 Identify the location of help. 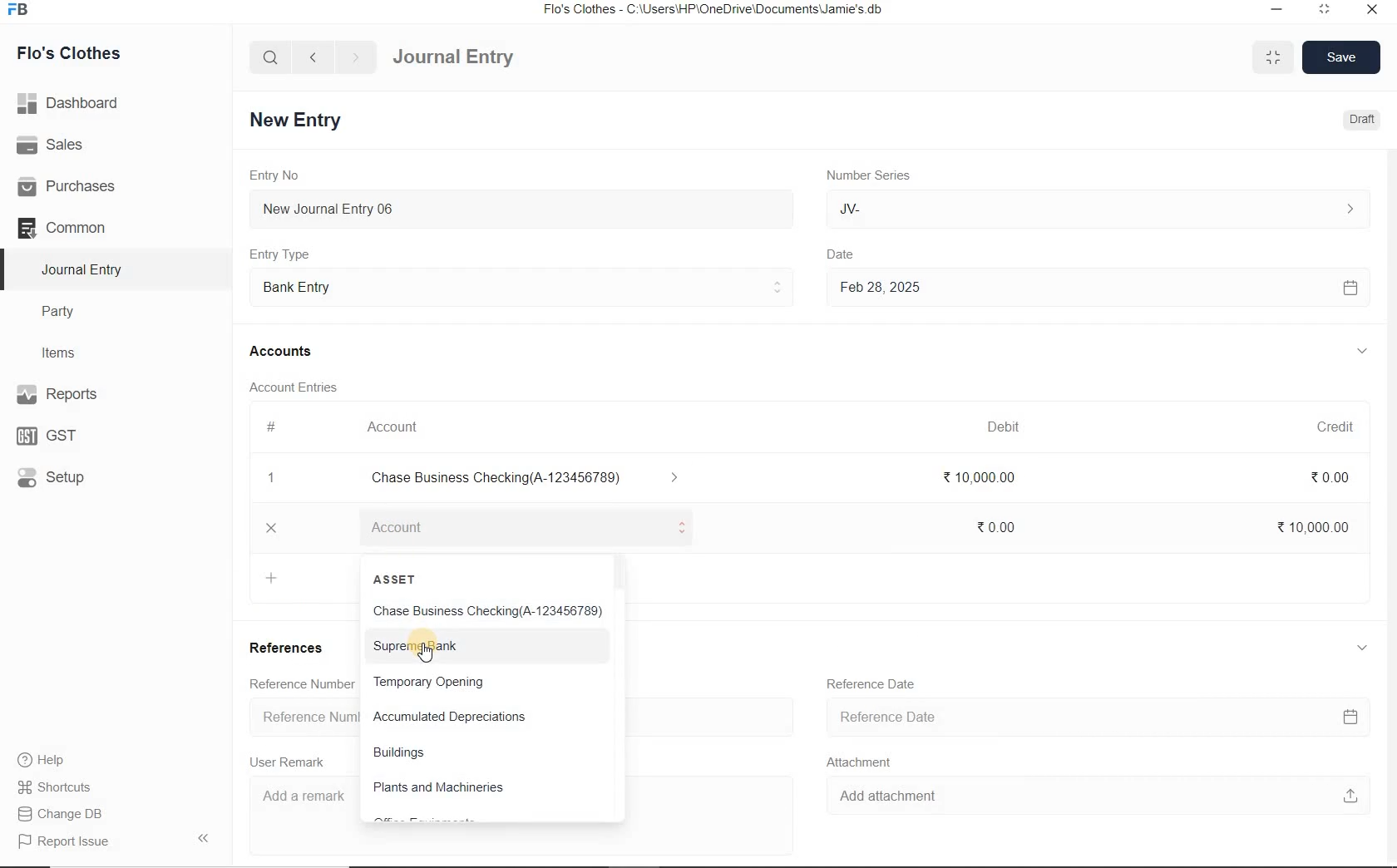
(42, 760).